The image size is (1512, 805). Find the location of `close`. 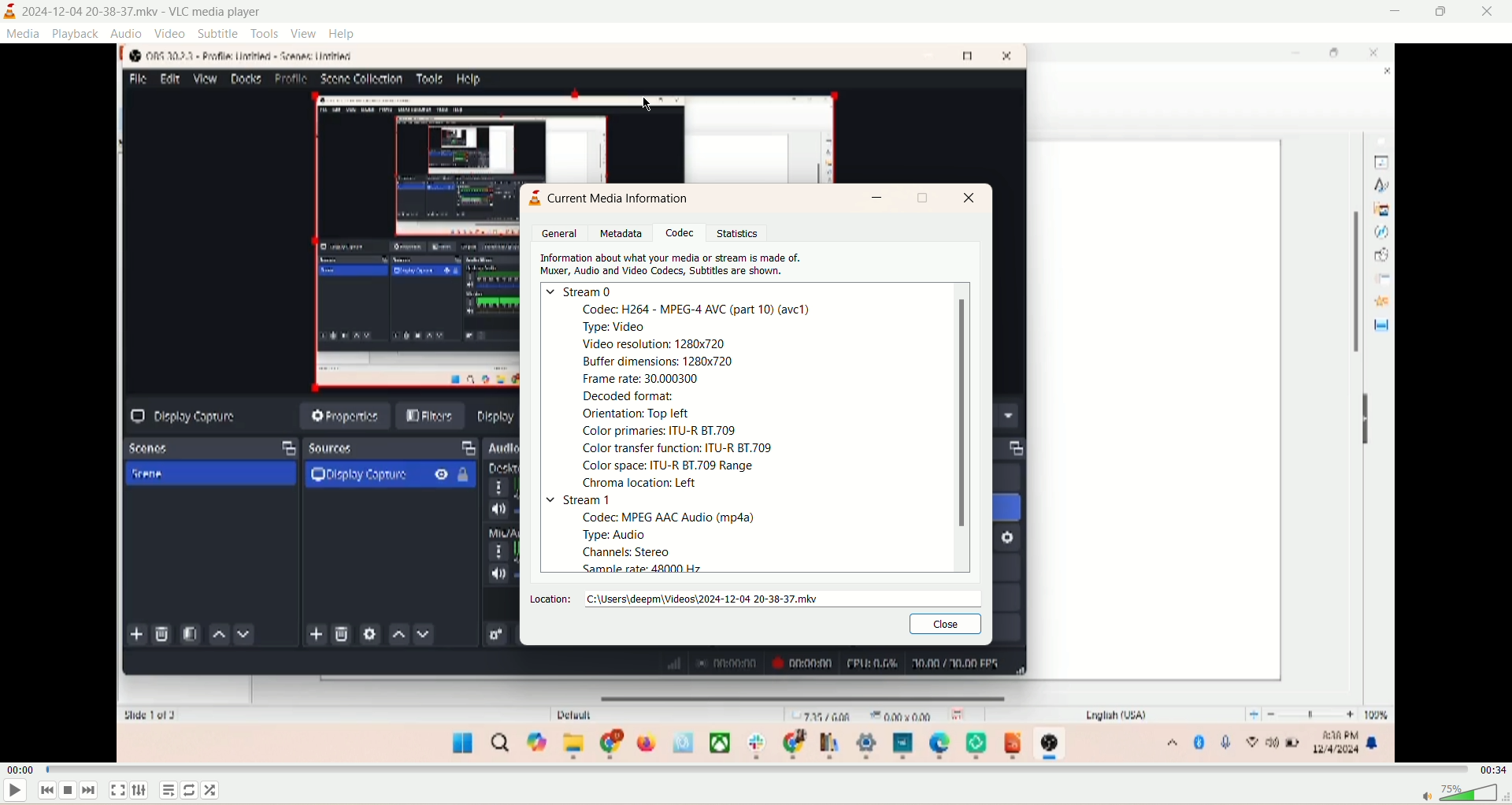

close is located at coordinates (1490, 15).